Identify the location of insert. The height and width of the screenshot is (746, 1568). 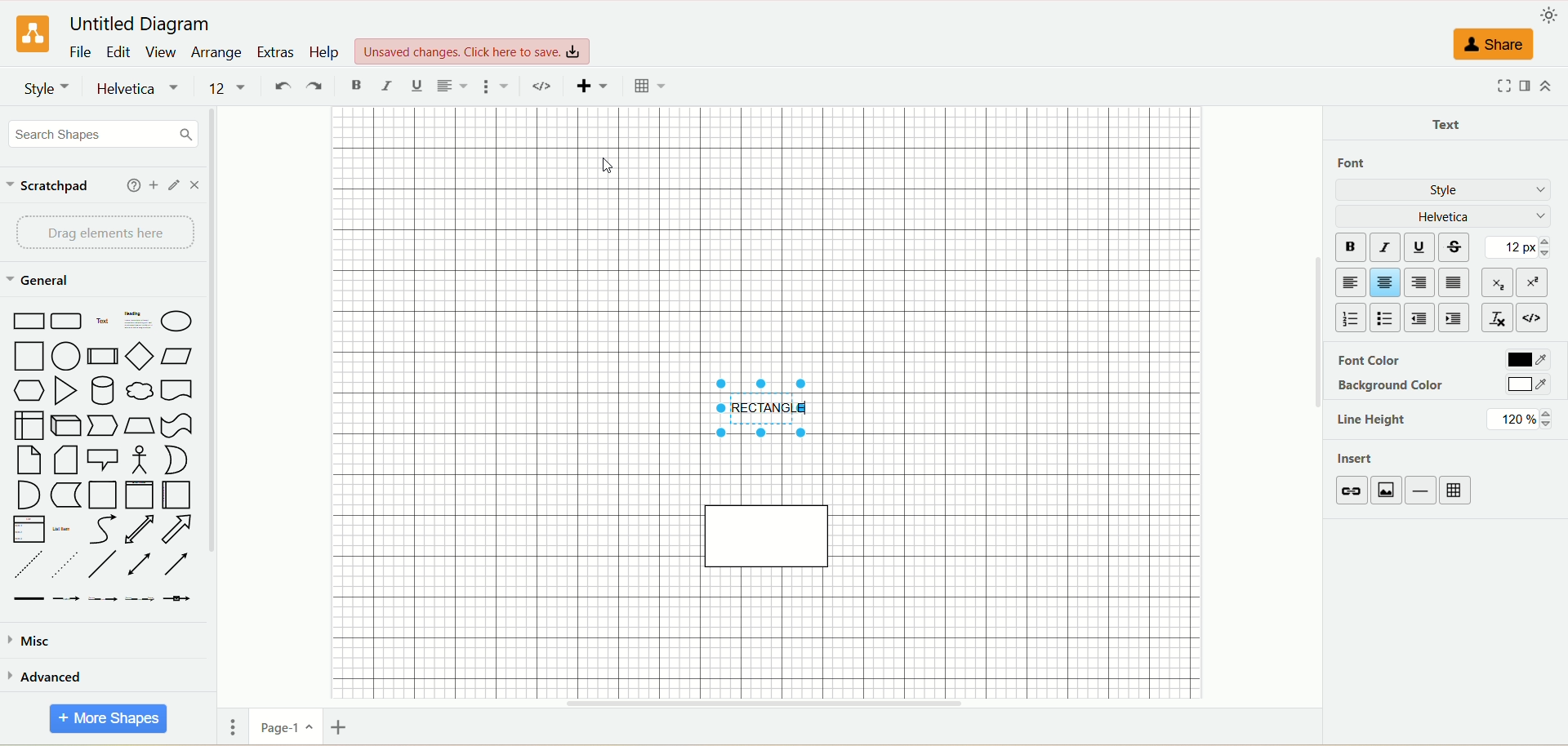
(1374, 456).